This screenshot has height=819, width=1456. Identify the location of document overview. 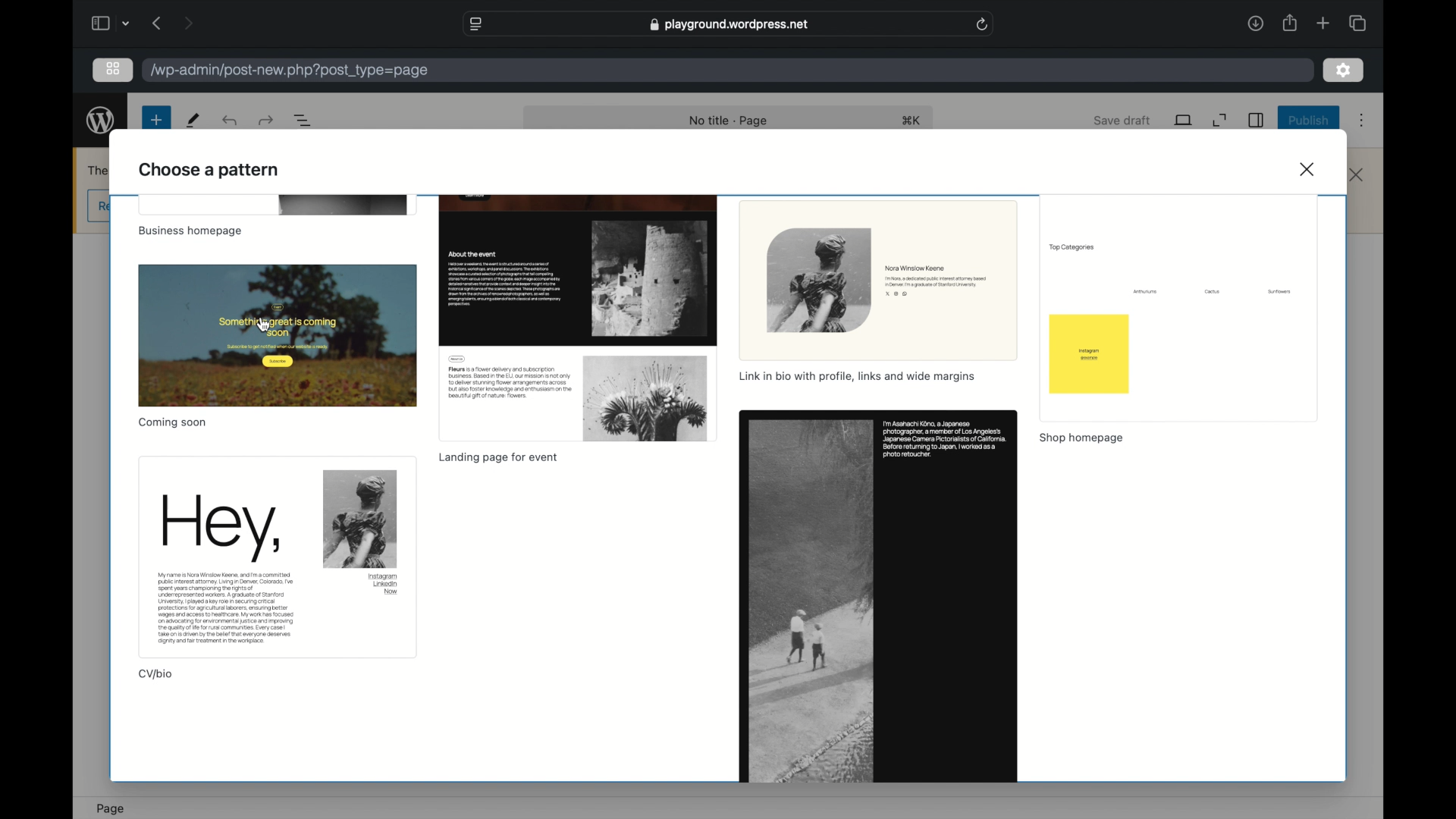
(303, 121).